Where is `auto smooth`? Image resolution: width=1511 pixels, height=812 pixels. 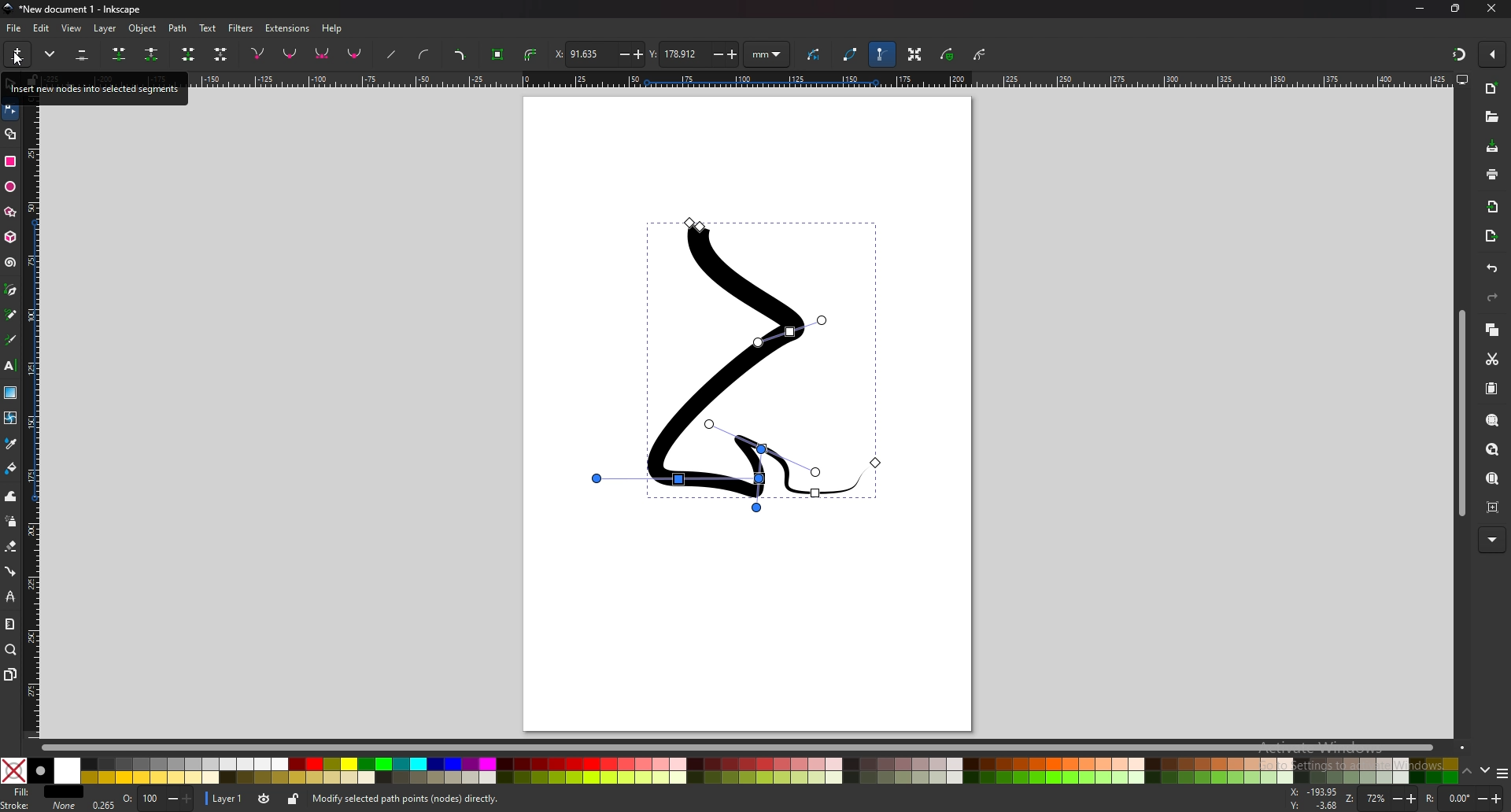 auto smooth is located at coordinates (356, 55).